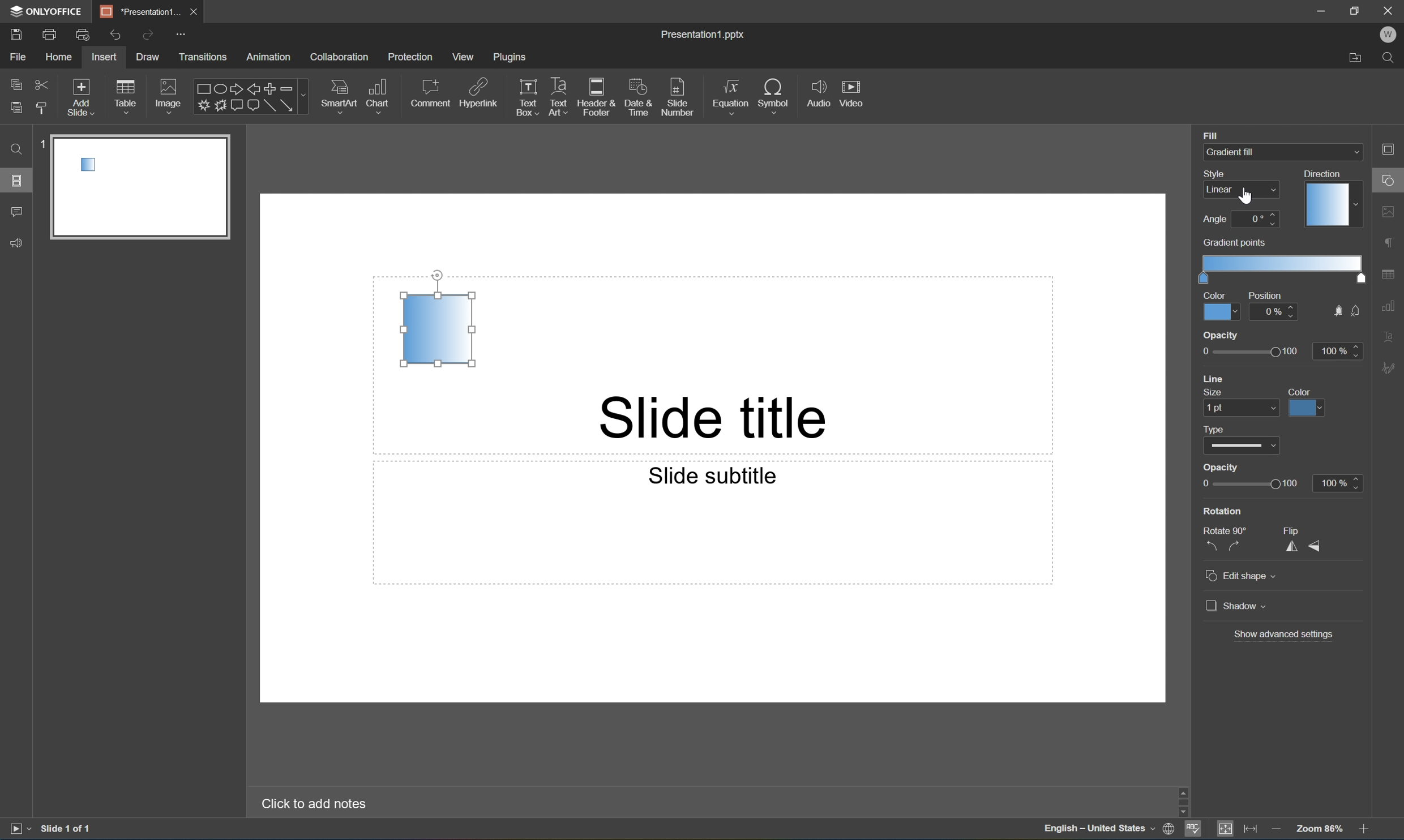 The image size is (1404, 840). I want to click on Rotation, so click(1223, 511).